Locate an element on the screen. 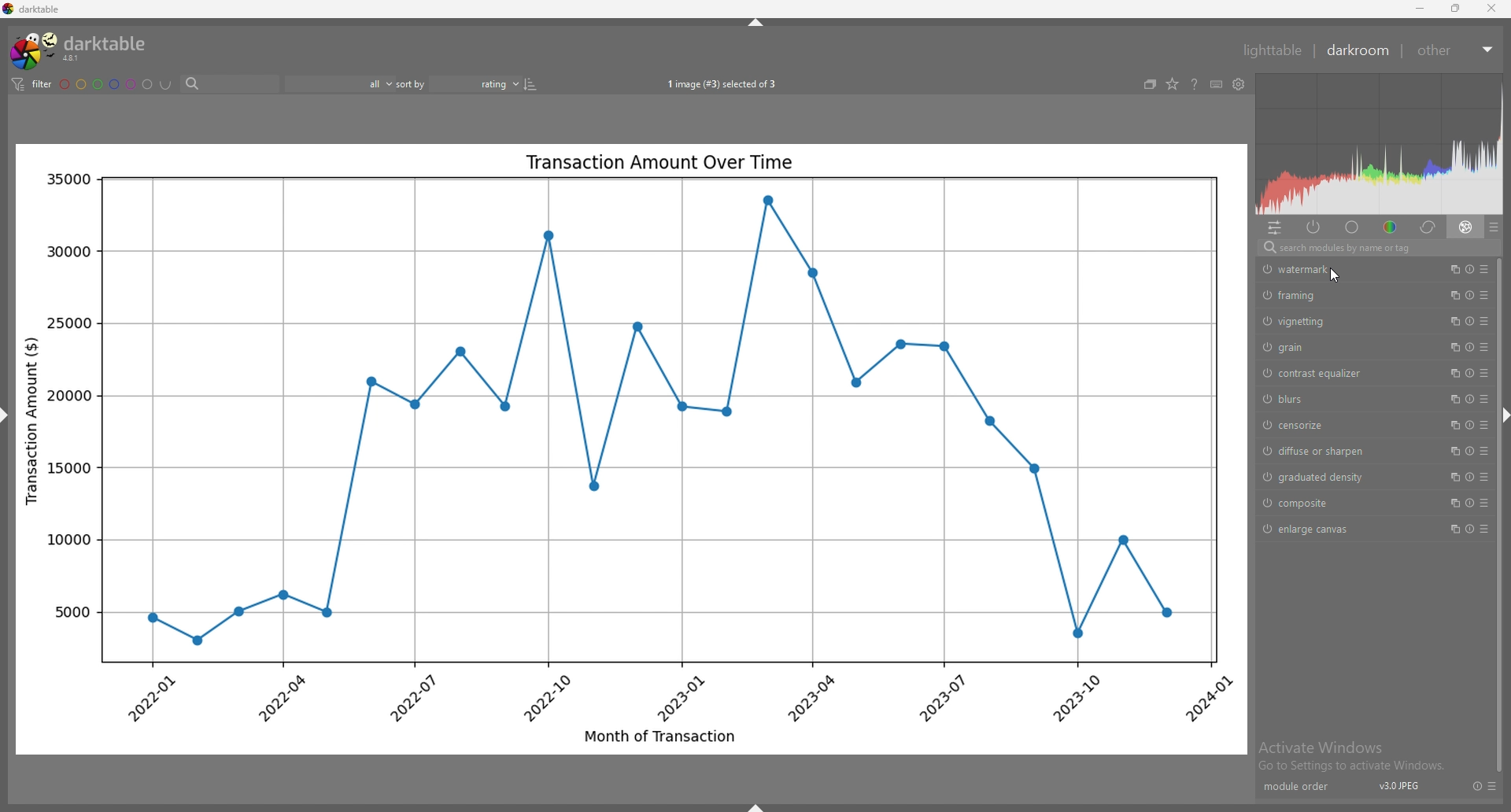 The width and height of the screenshot is (1511, 812). presets is located at coordinates (1484, 451).